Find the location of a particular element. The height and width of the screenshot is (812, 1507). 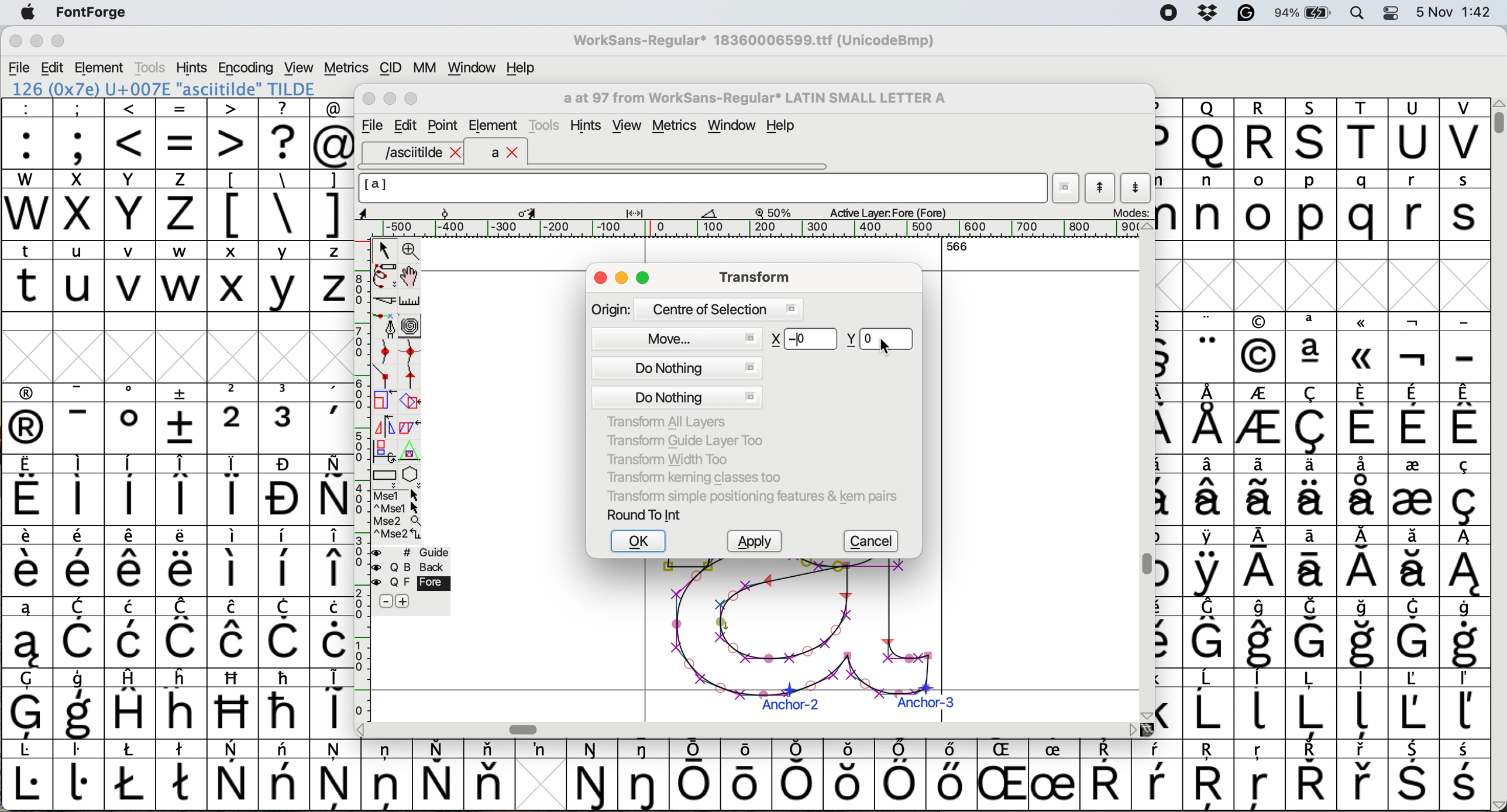

symbol is located at coordinates (489, 774).